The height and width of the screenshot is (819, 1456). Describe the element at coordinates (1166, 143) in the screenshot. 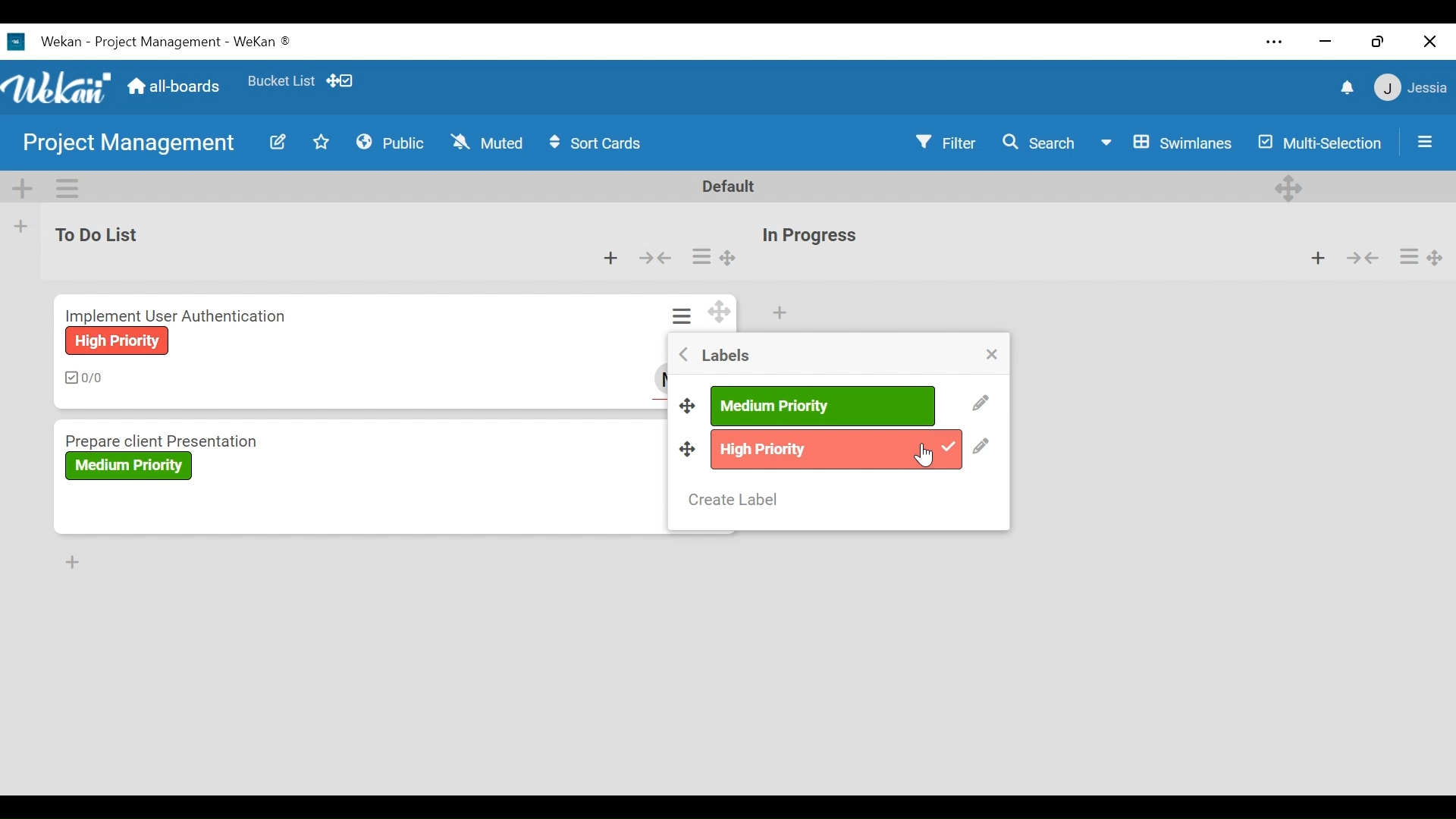

I see `Board View` at that location.